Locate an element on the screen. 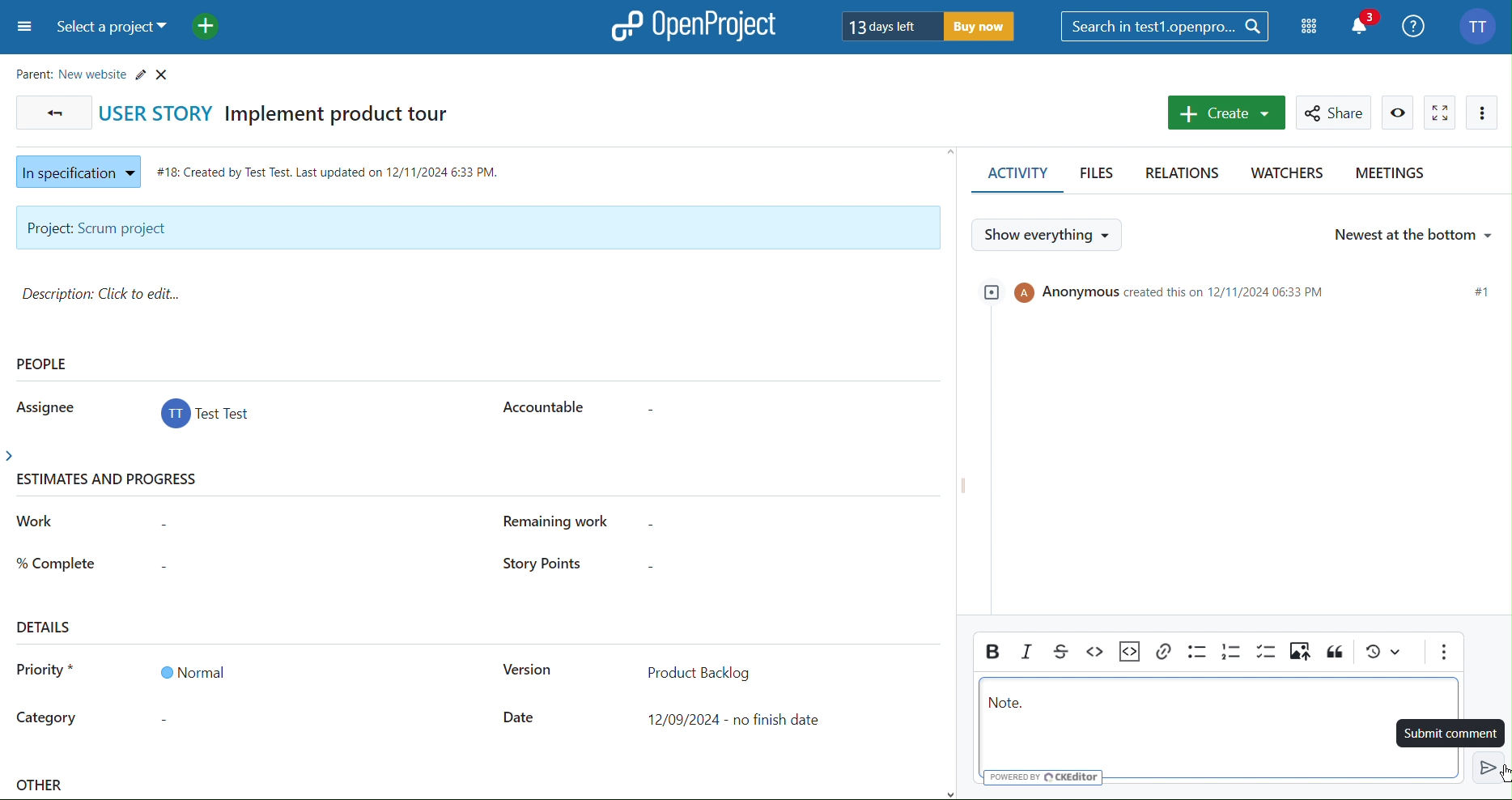 The width and height of the screenshot is (1512, 800). Insert Options is located at coordinates (1130, 652).